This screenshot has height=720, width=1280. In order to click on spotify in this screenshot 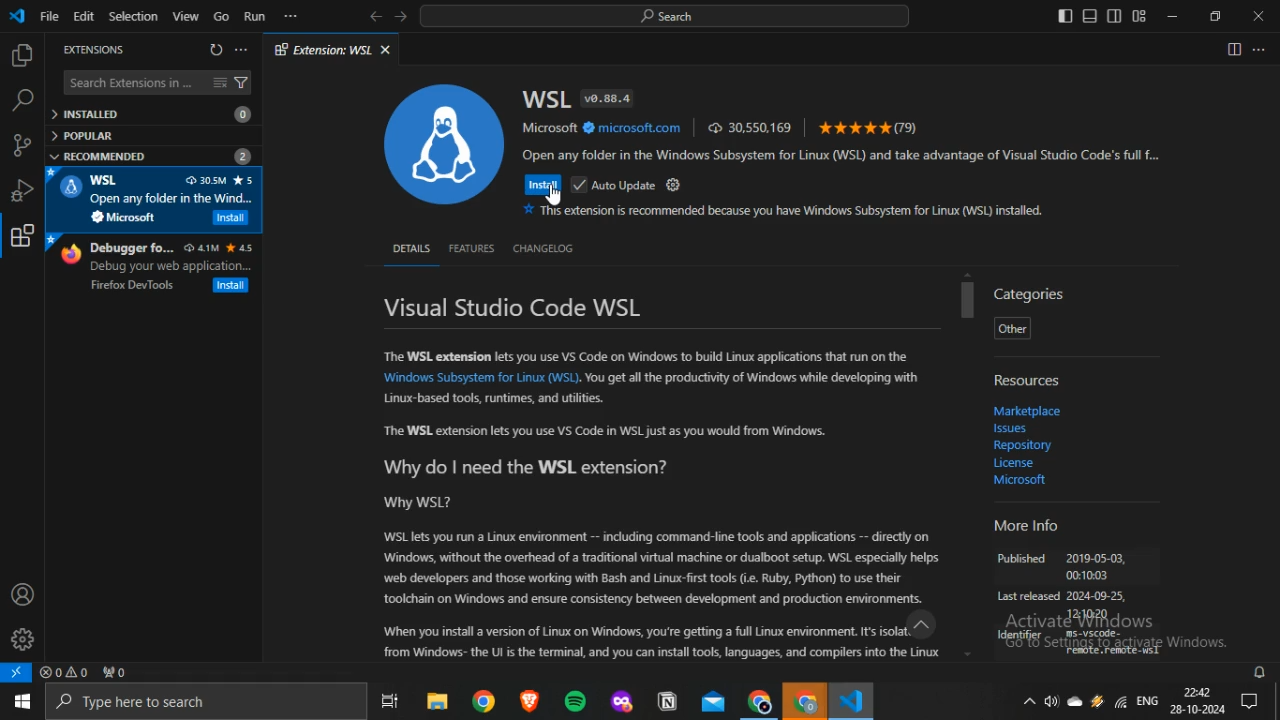, I will do `click(576, 701)`.